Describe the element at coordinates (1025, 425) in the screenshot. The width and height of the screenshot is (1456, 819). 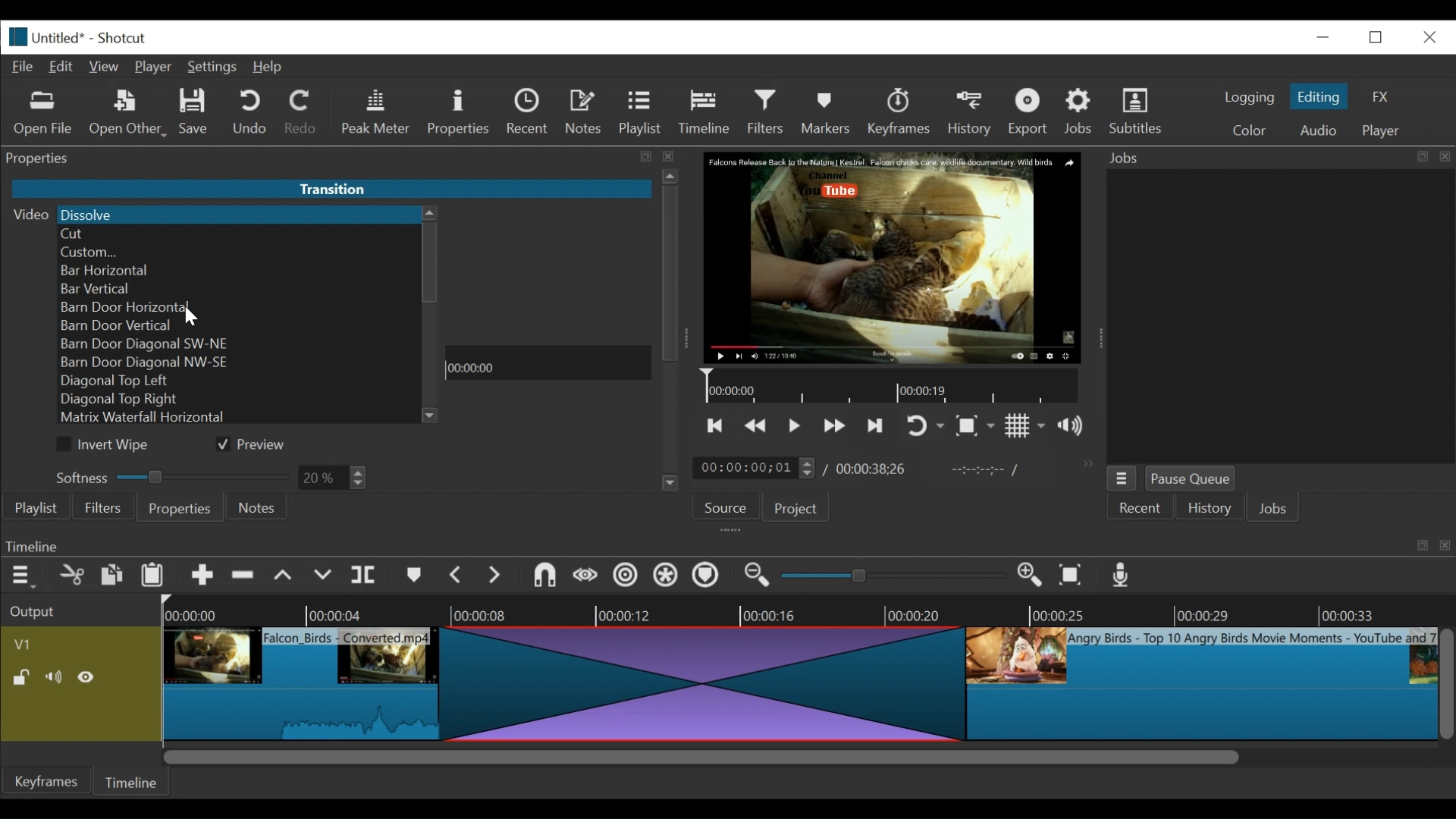
I see `Toggle display grid on player` at that location.